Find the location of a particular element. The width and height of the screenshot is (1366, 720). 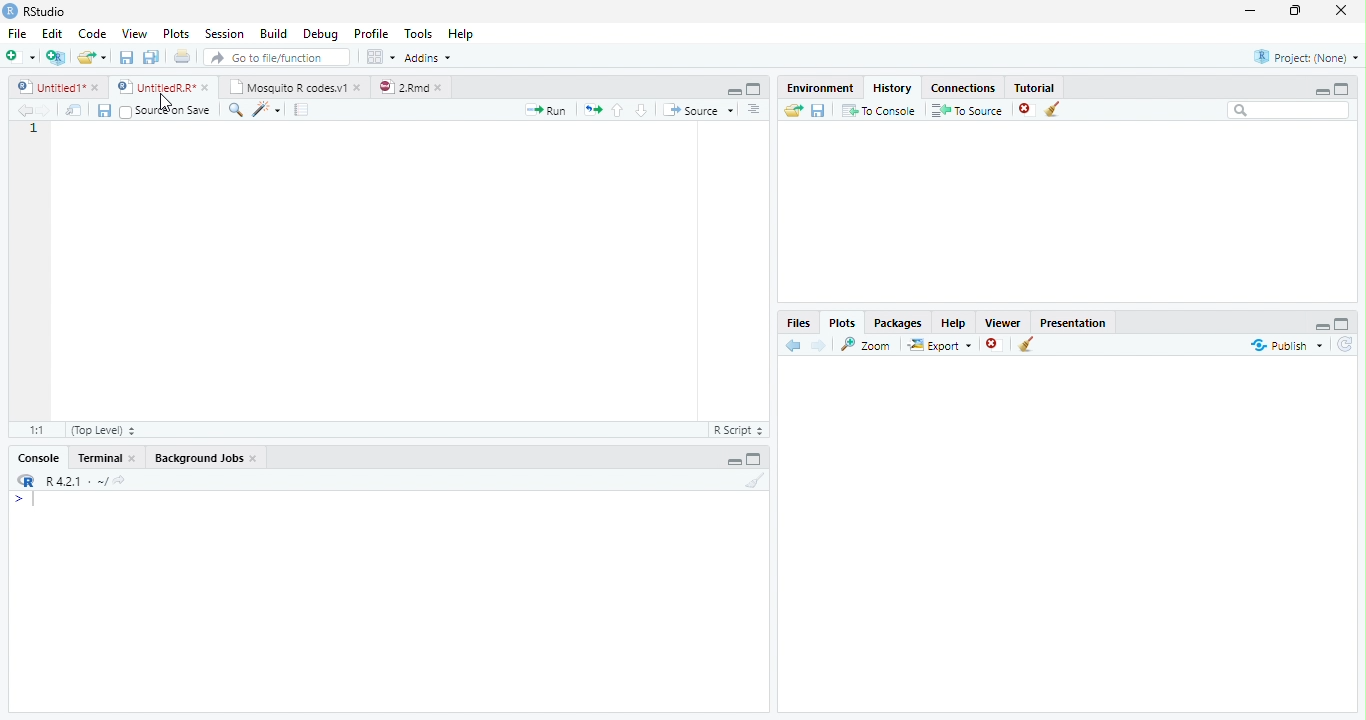

Create Project is located at coordinates (56, 58).